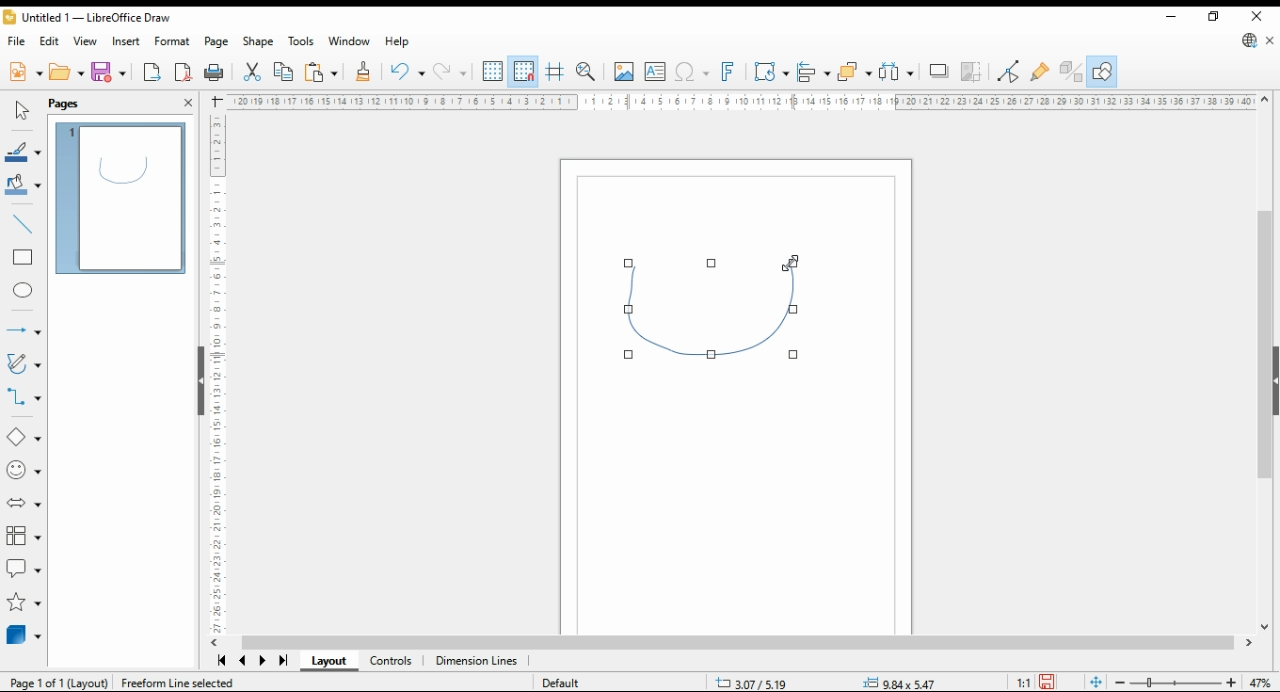  I want to click on new shape - curved line, so click(714, 308).